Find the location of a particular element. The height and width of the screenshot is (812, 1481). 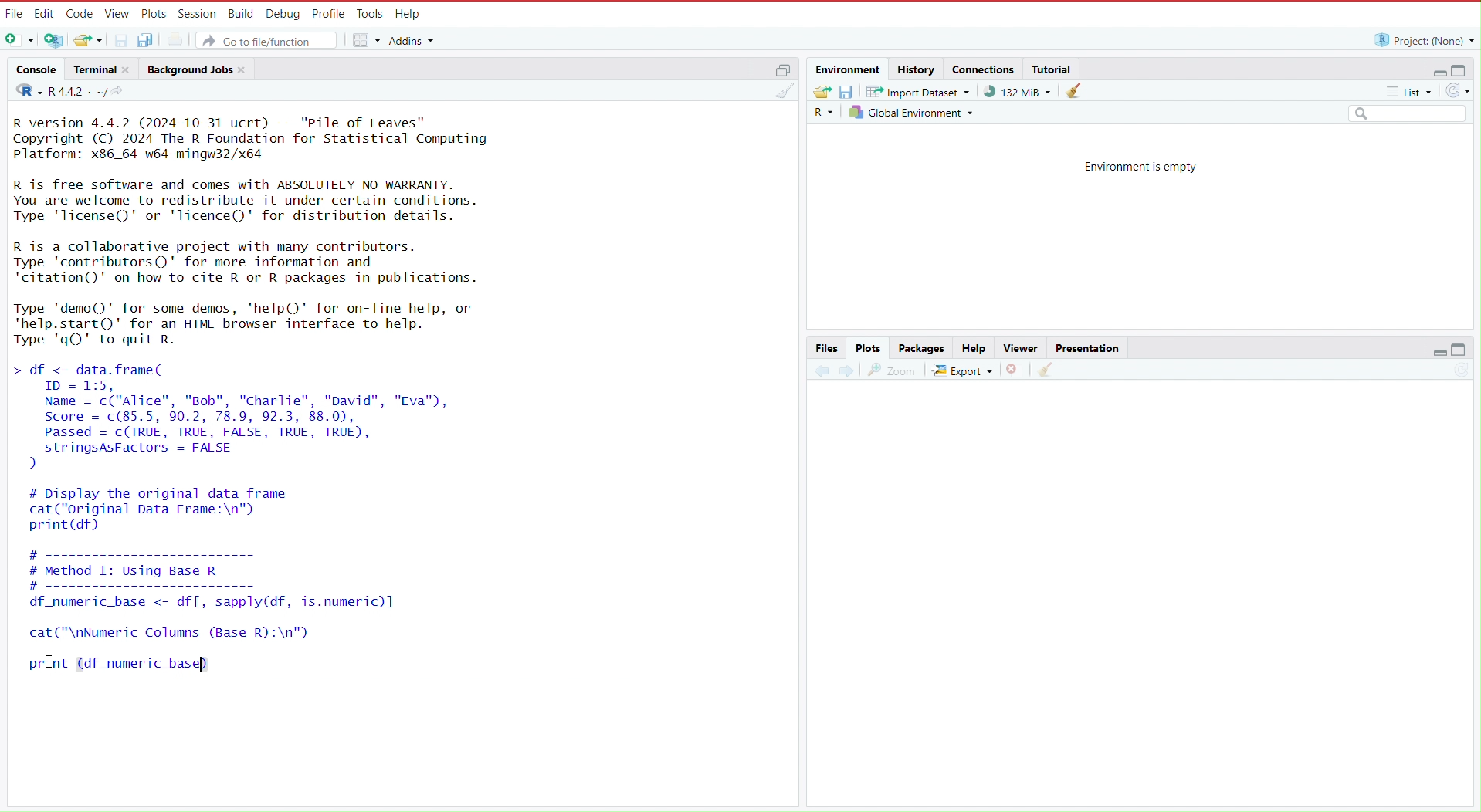

save workspace as is located at coordinates (849, 93).